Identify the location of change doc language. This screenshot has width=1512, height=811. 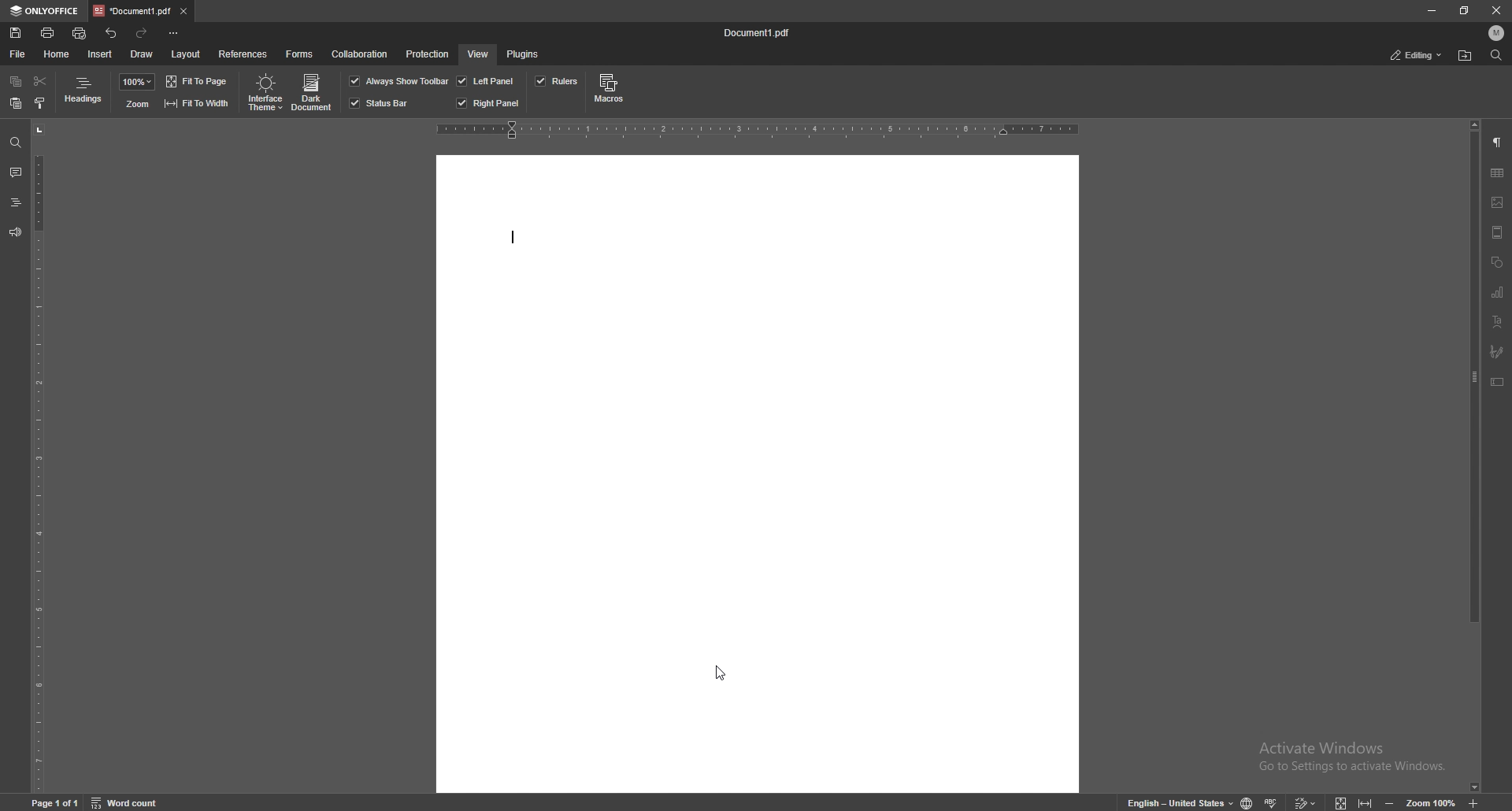
(1247, 802).